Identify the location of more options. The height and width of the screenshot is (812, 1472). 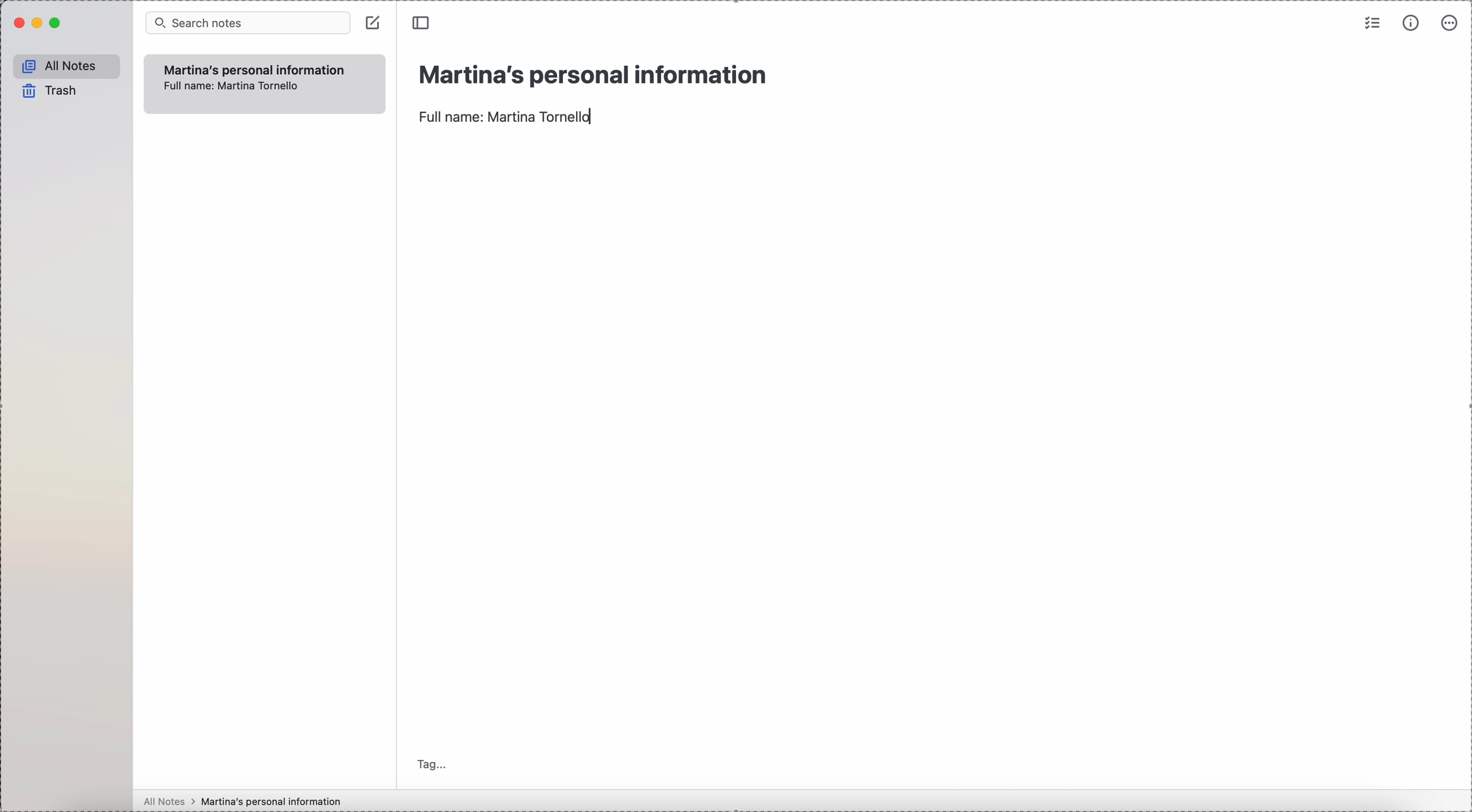
(1448, 24).